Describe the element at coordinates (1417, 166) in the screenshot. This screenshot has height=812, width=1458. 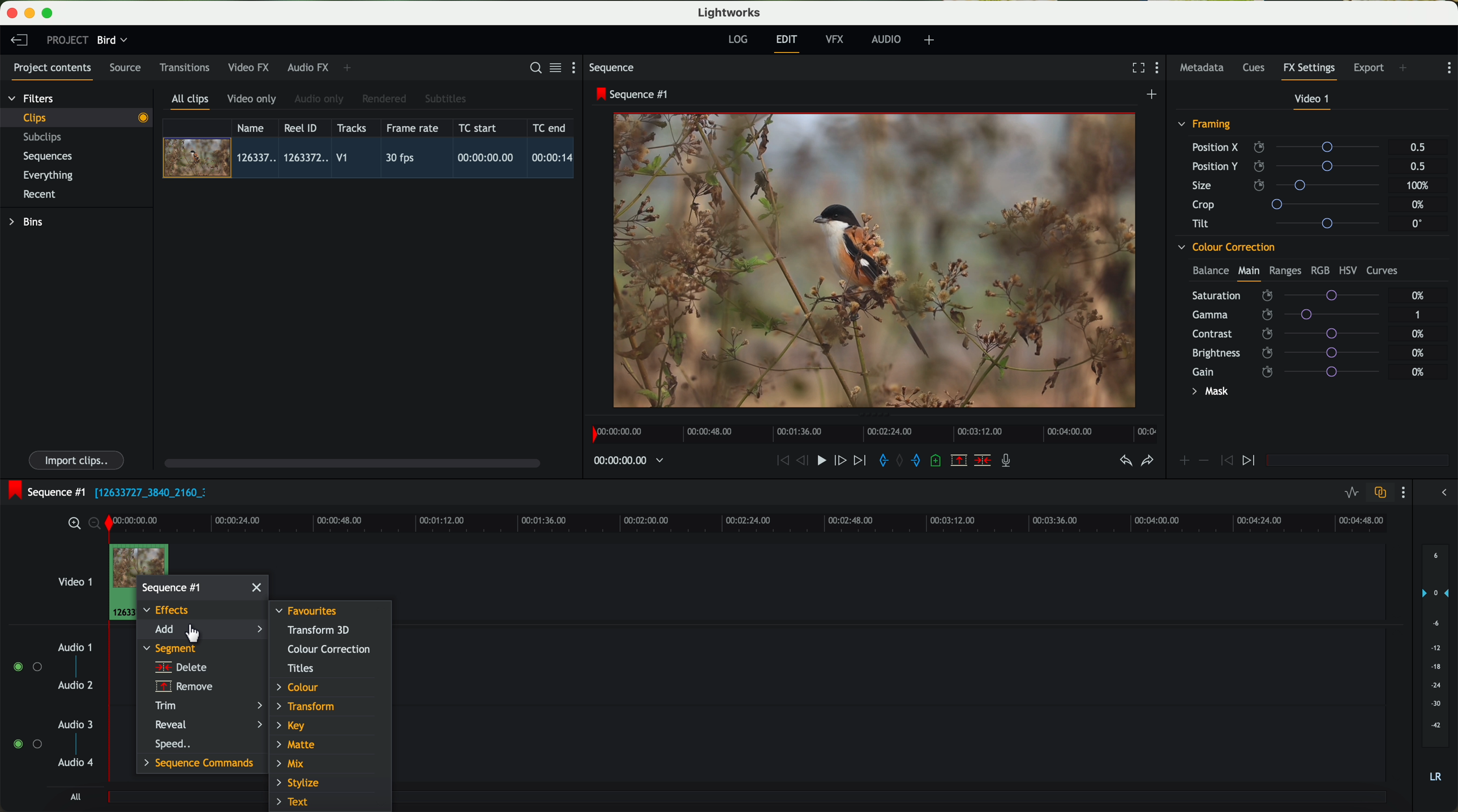
I see `0.5` at that location.